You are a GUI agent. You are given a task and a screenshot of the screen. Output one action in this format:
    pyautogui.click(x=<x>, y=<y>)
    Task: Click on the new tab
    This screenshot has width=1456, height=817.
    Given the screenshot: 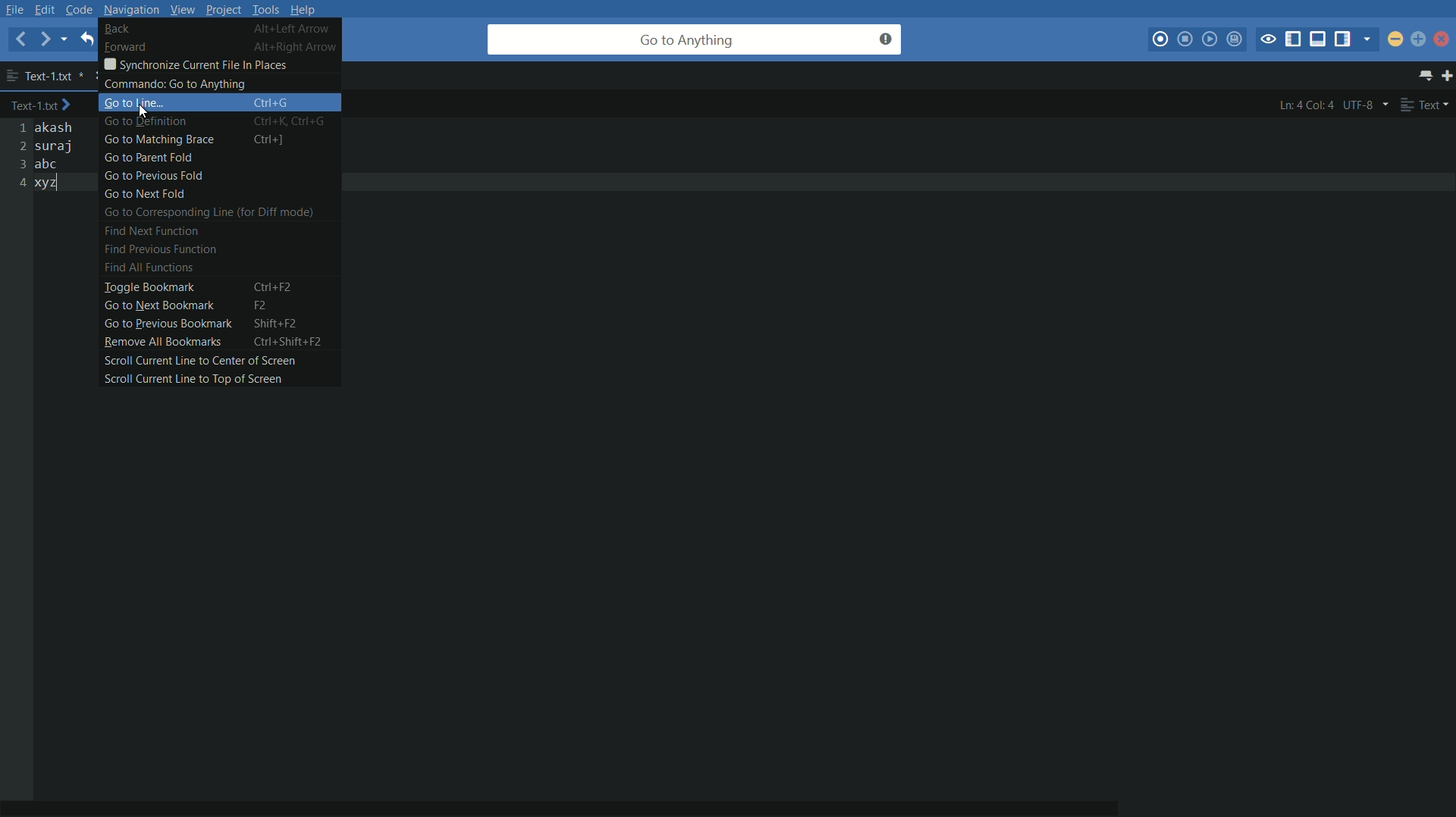 What is the action you would take?
    pyautogui.click(x=1447, y=77)
    